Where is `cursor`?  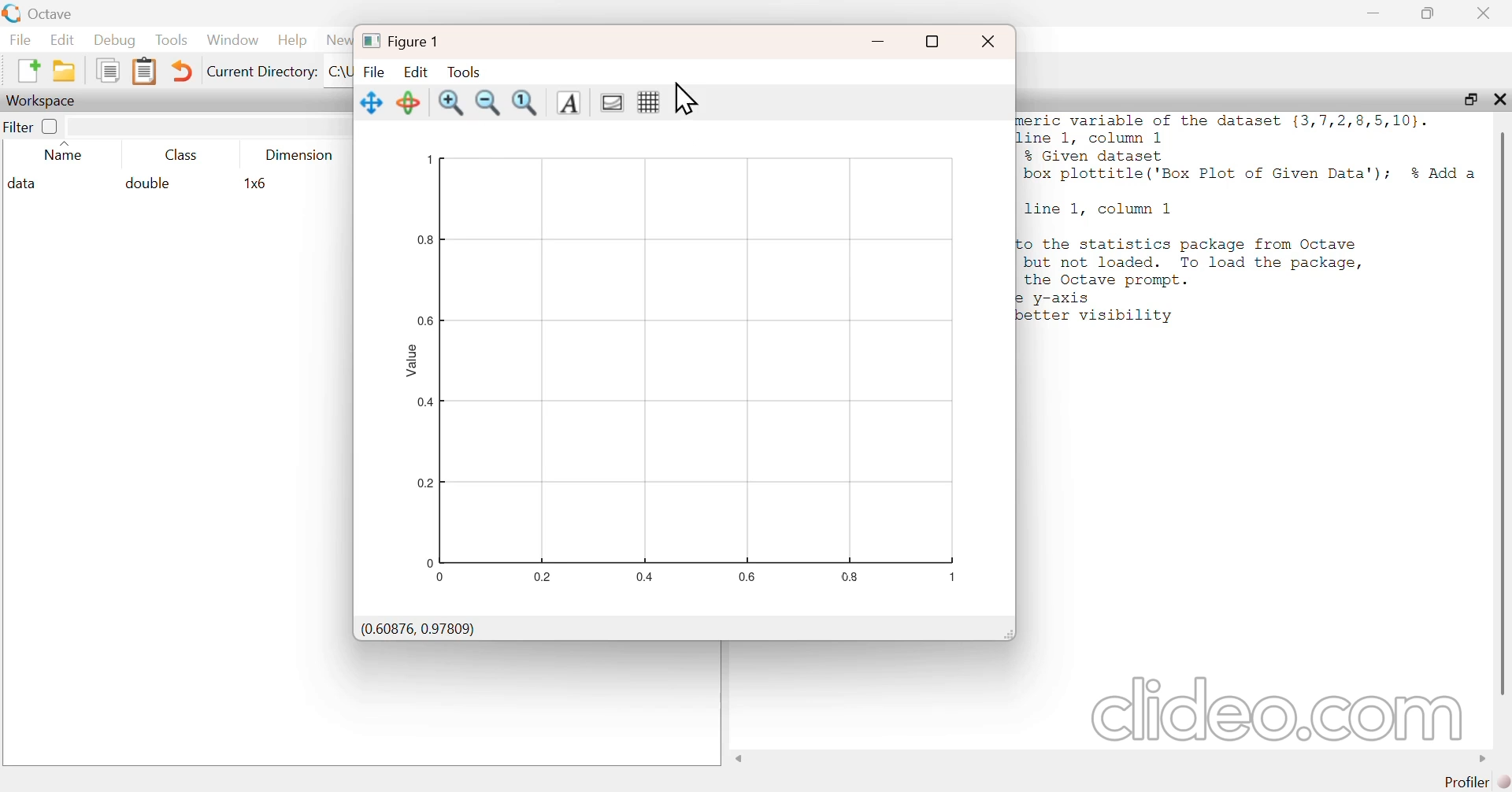 cursor is located at coordinates (1258, 442).